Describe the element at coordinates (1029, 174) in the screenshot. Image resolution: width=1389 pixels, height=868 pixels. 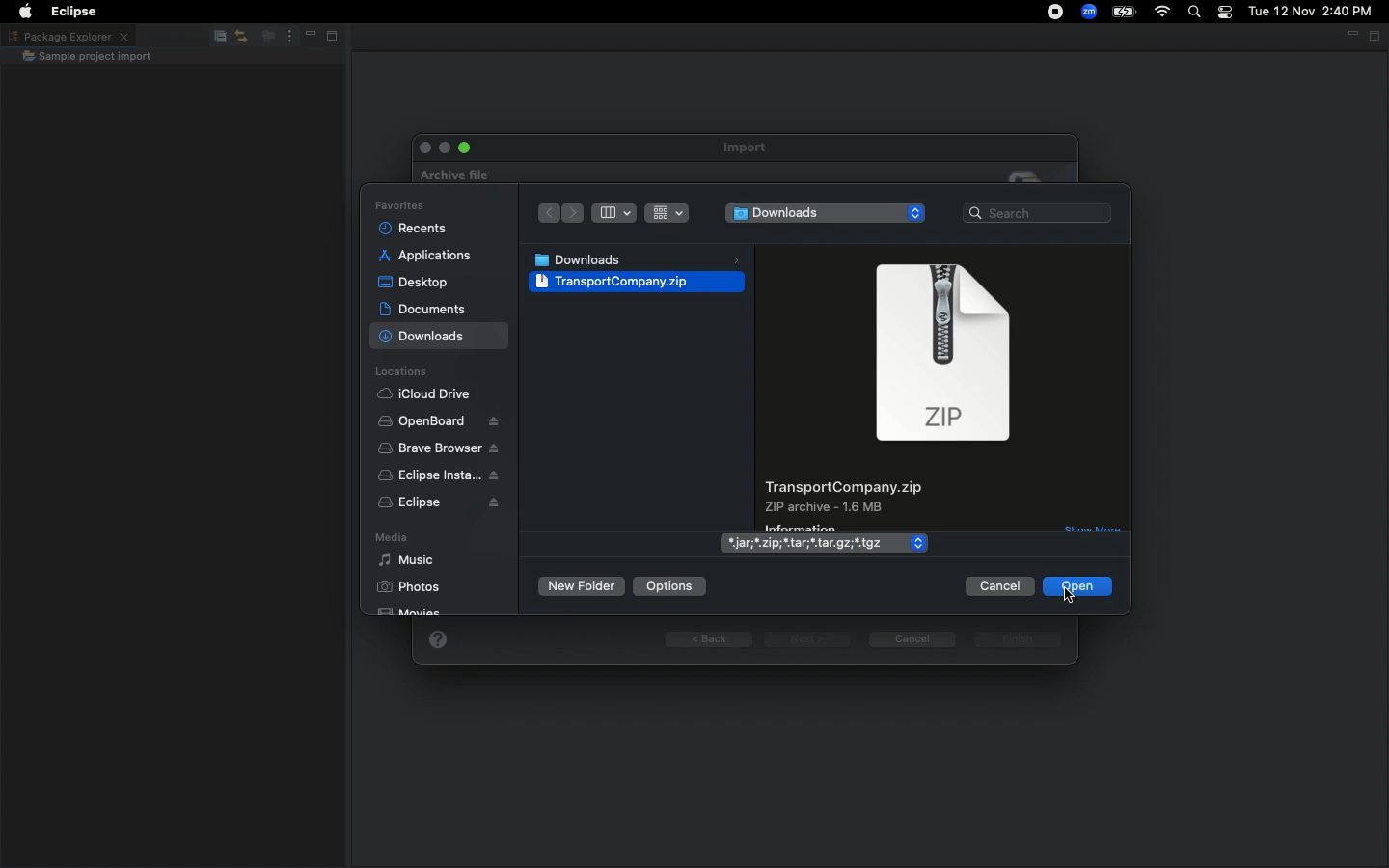
I see `icon` at that location.